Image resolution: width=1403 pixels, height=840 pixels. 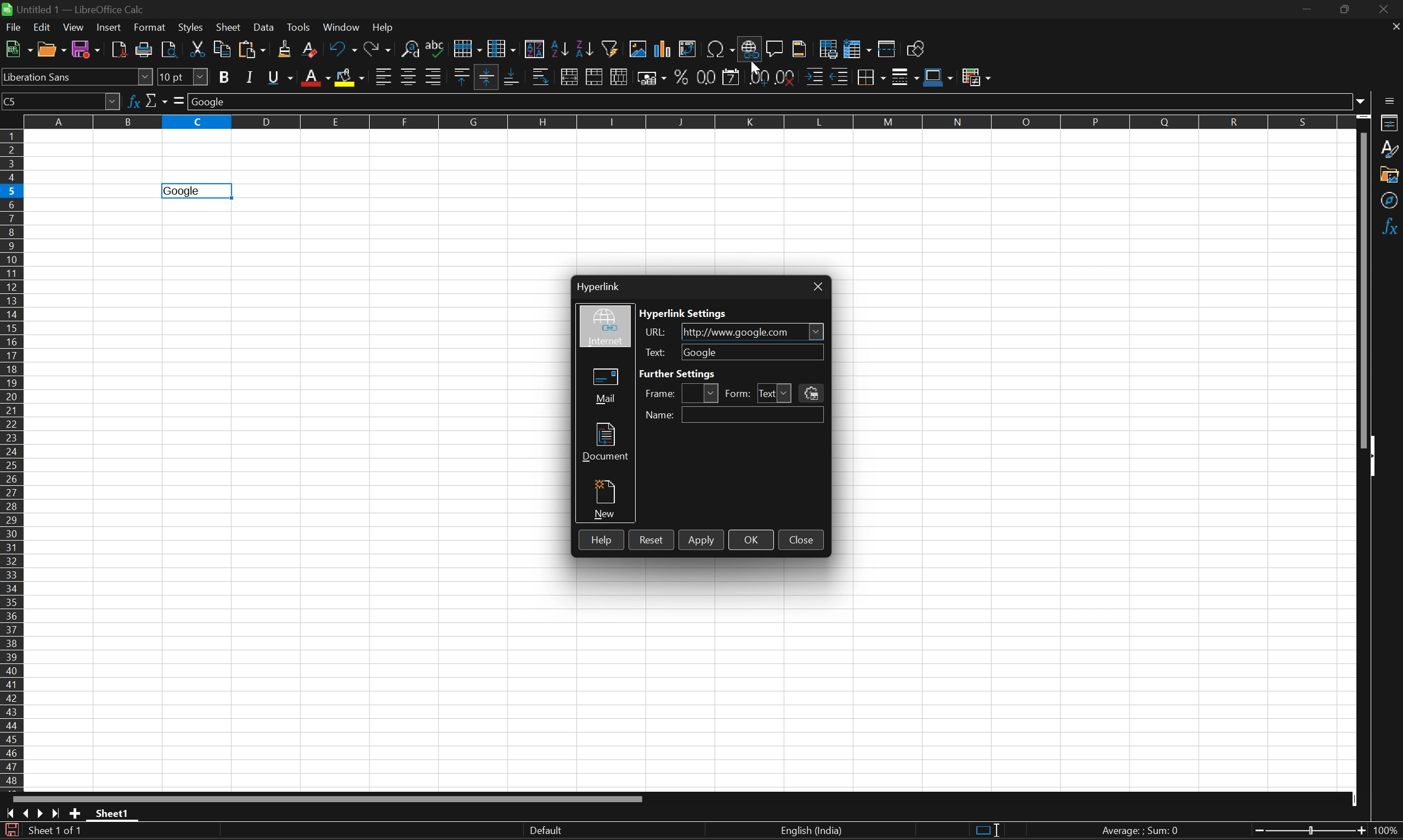 I want to click on Tools, so click(x=301, y=28).